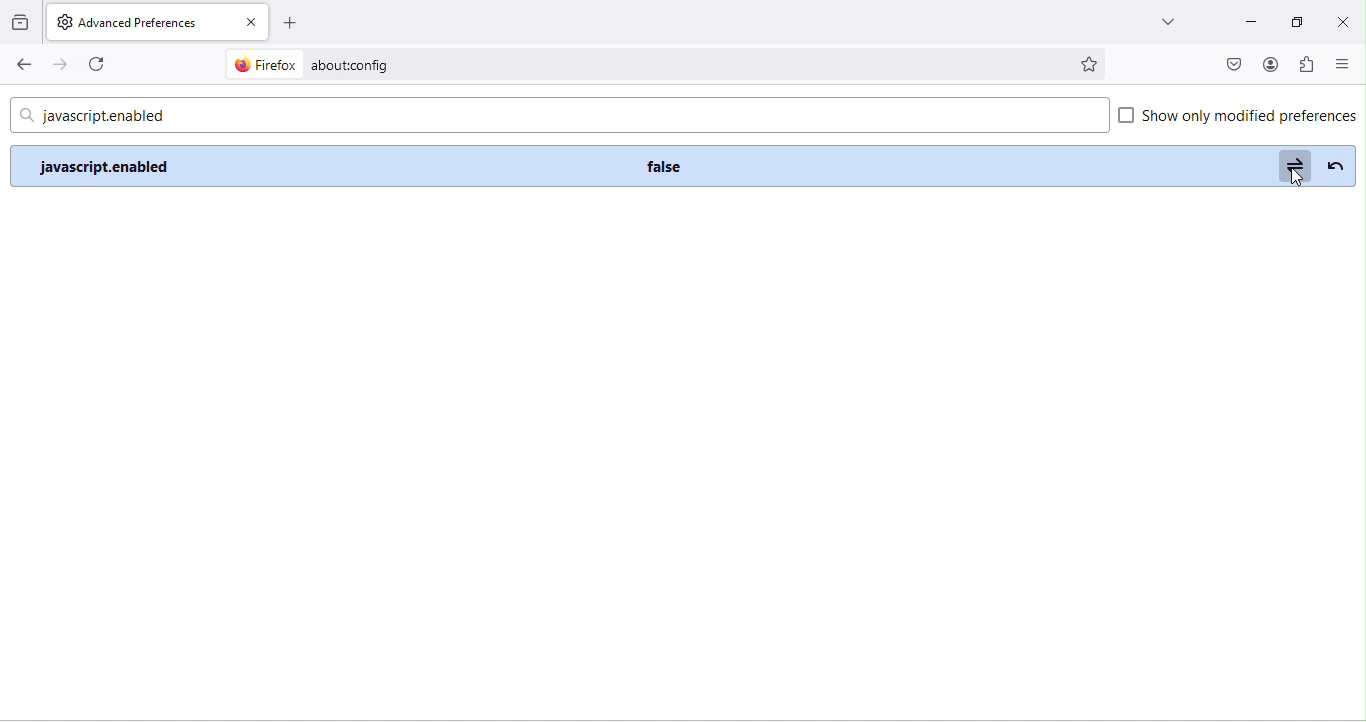  I want to click on disable JavaScript , so click(314, 165).